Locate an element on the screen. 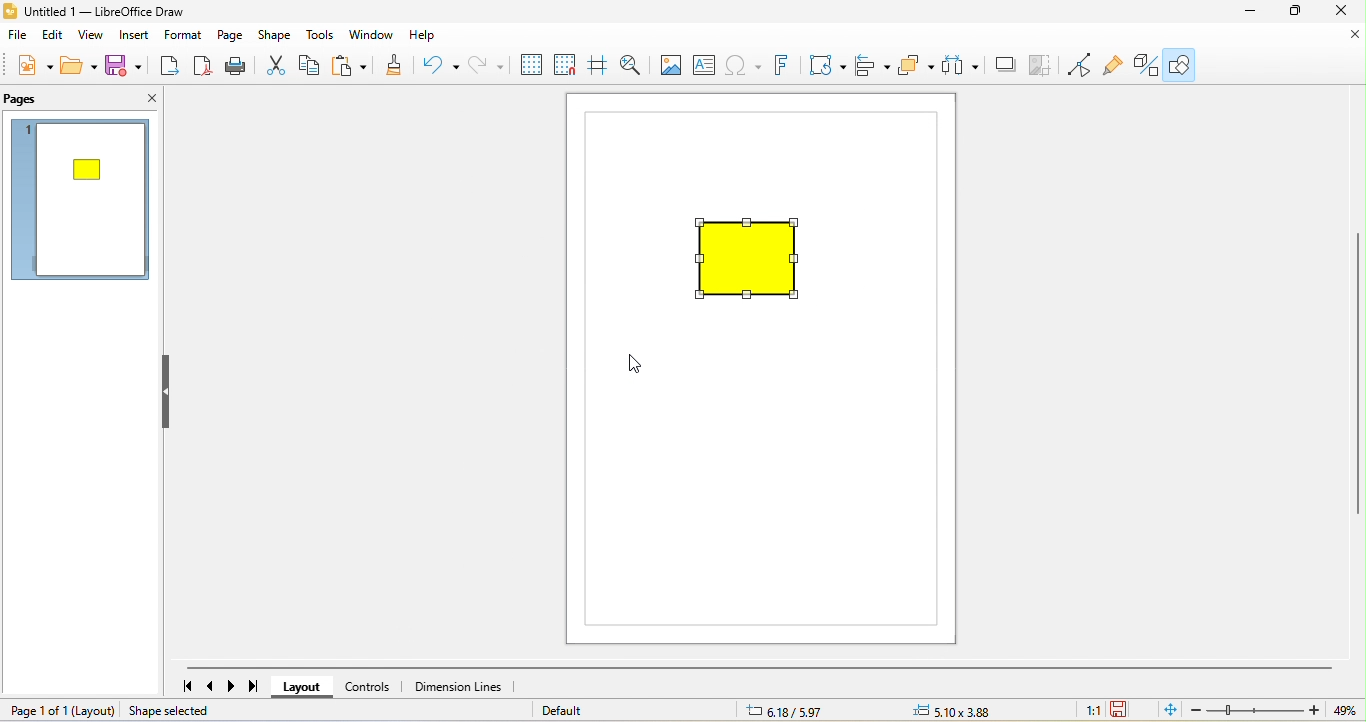 The height and width of the screenshot is (722, 1366). shadow is located at coordinates (1006, 64).